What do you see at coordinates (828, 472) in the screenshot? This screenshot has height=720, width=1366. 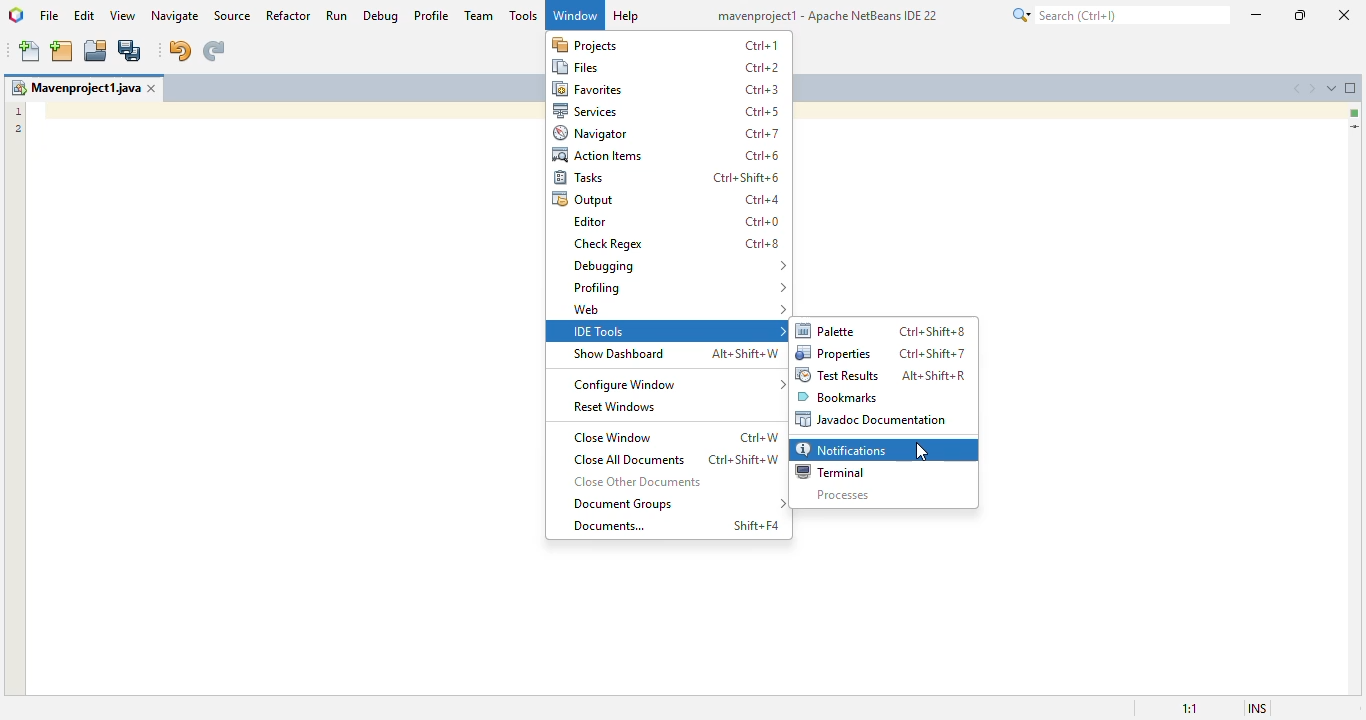 I see `terminal` at bounding box center [828, 472].